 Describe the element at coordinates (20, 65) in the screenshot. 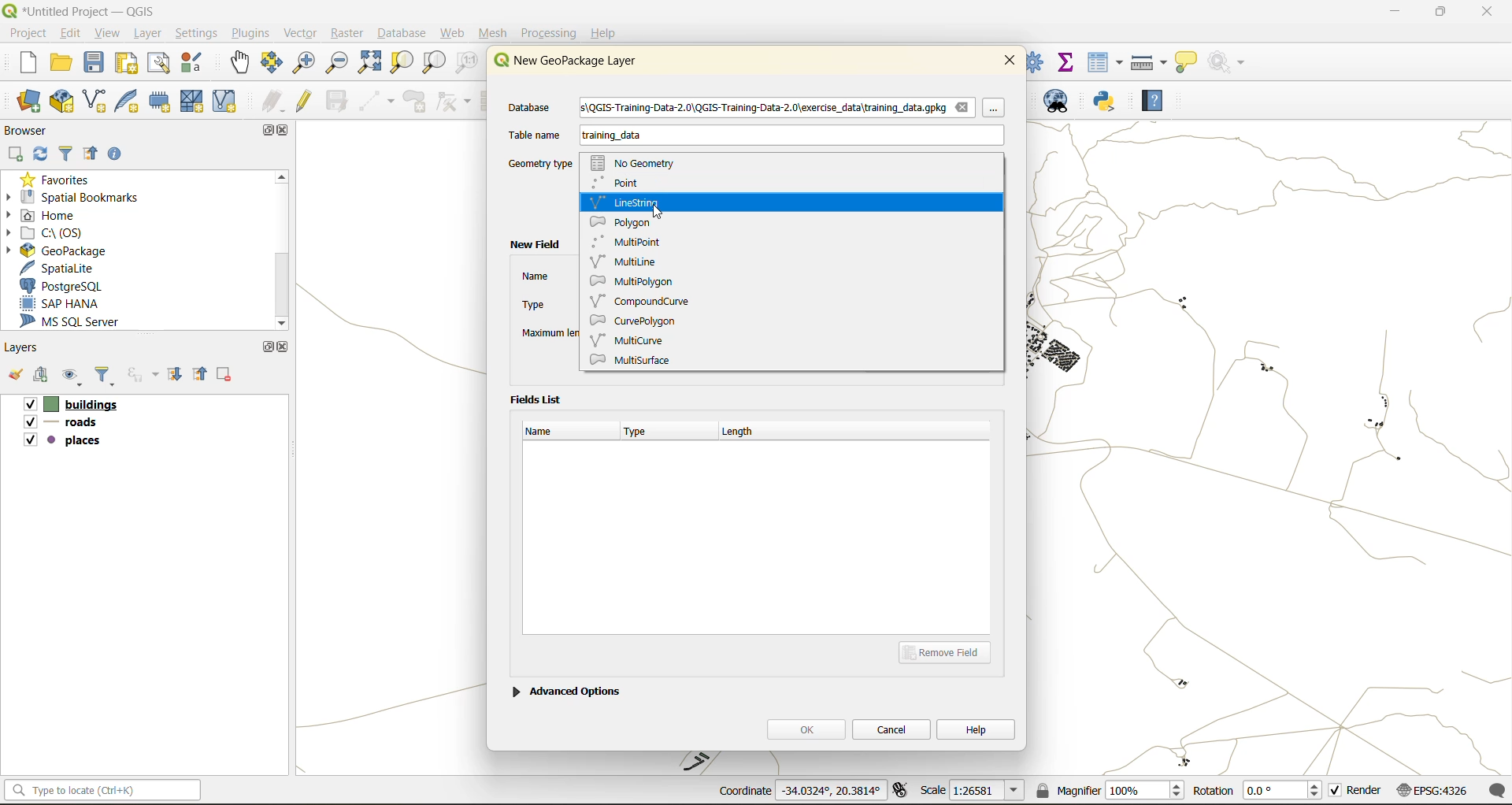

I see `new` at that location.